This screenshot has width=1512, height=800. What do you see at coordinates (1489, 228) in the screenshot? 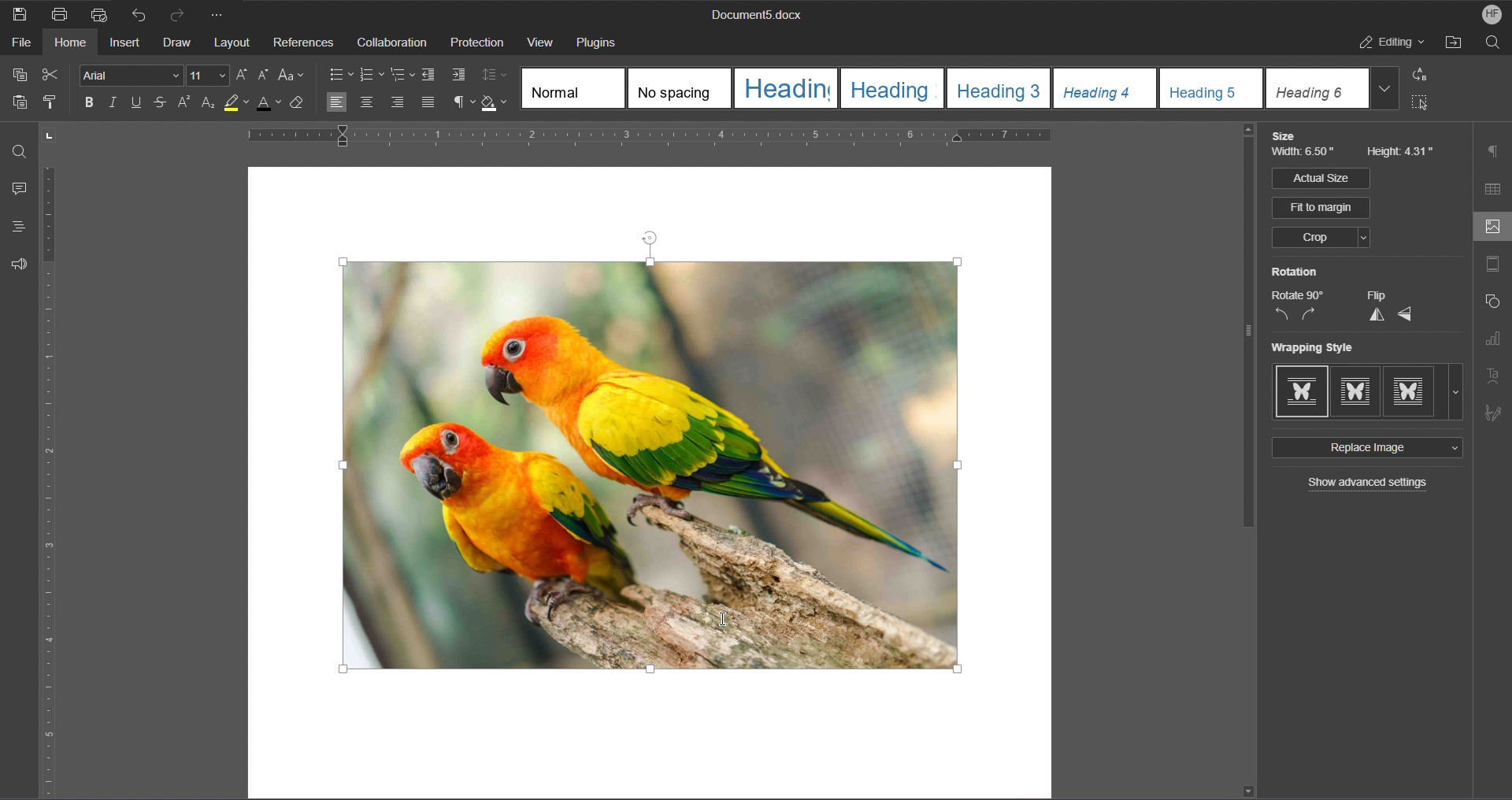
I see `Image Settings` at bounding box center [1489, 228].